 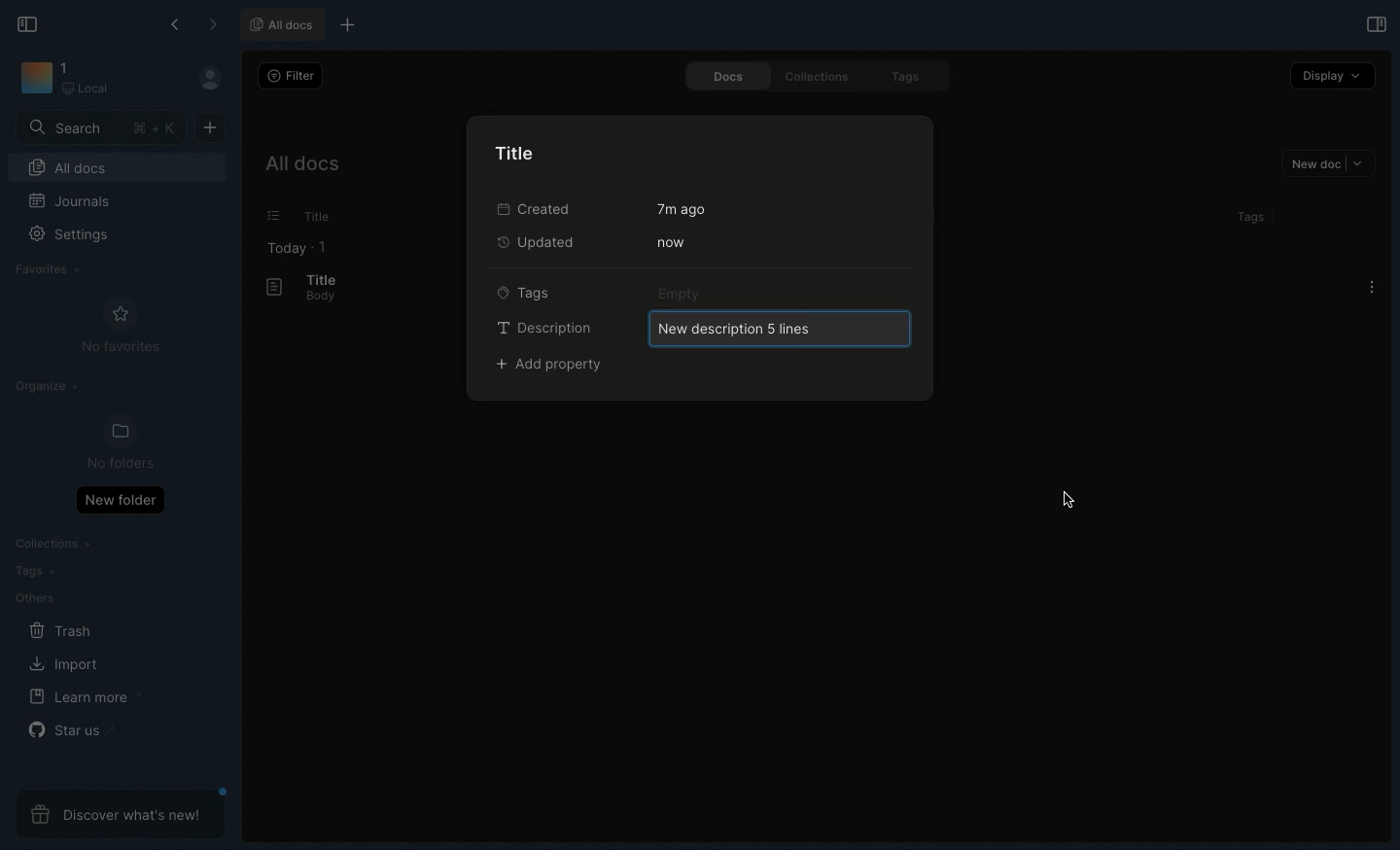 What do you see at coordinates (31, 571) in the screenshot?
I see `Tags` at bounding box center [31, 571].